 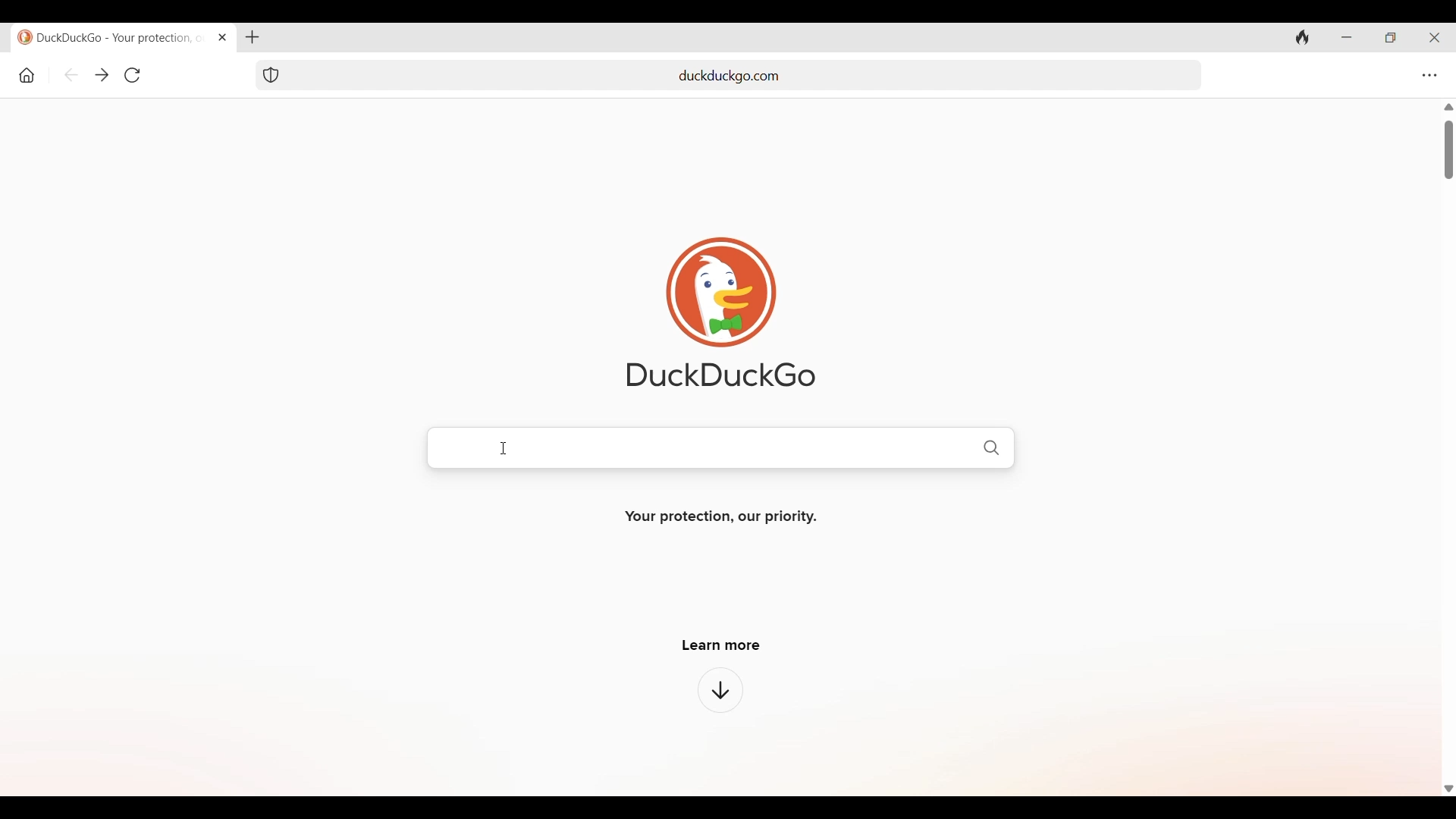 I want to click on learn more, so click(x=718, y=646).